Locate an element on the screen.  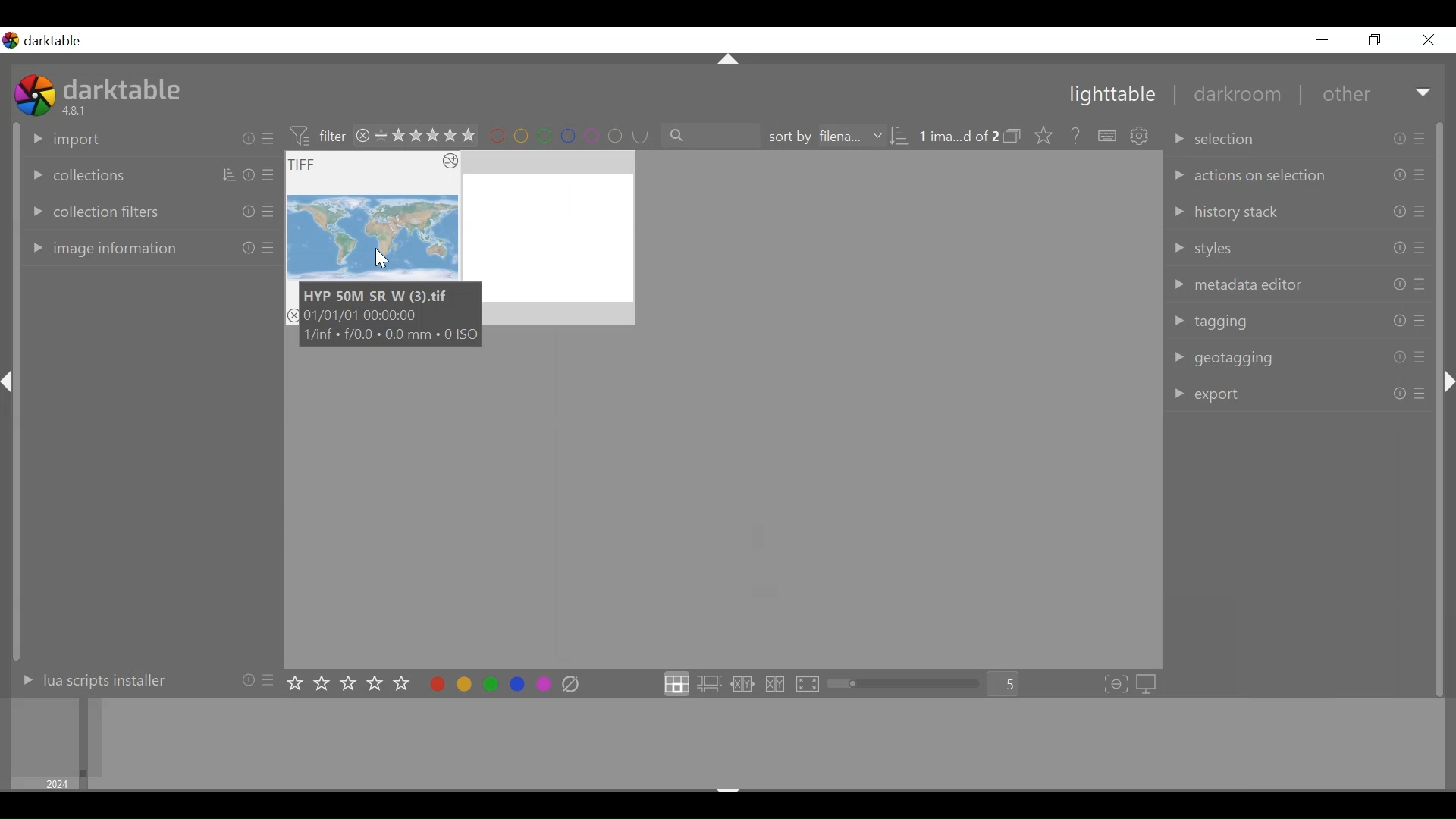
geotagging is located at coordinates (1295, 357).